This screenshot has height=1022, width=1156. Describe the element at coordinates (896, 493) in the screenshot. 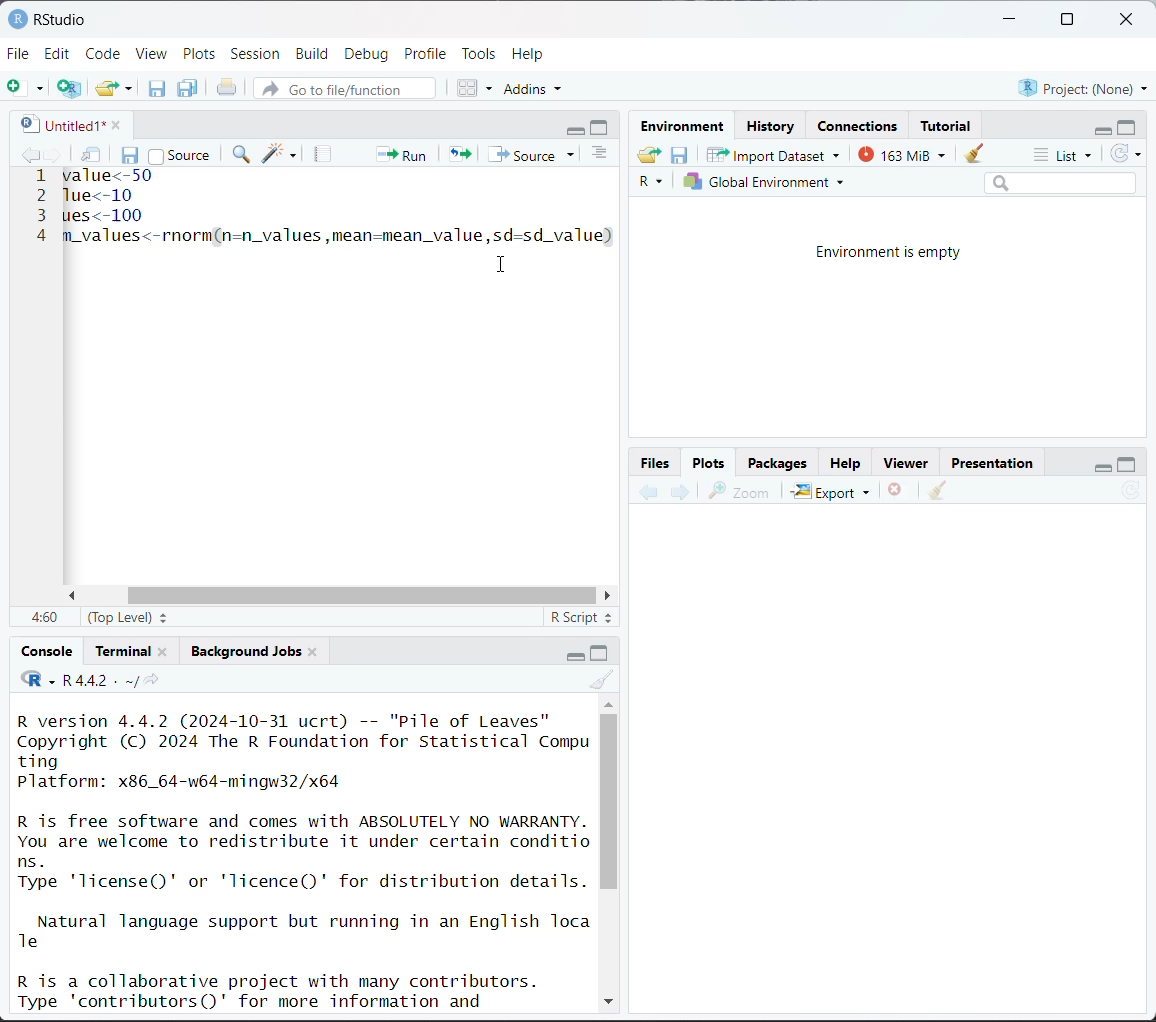

I see `remove the current plot` at that location.